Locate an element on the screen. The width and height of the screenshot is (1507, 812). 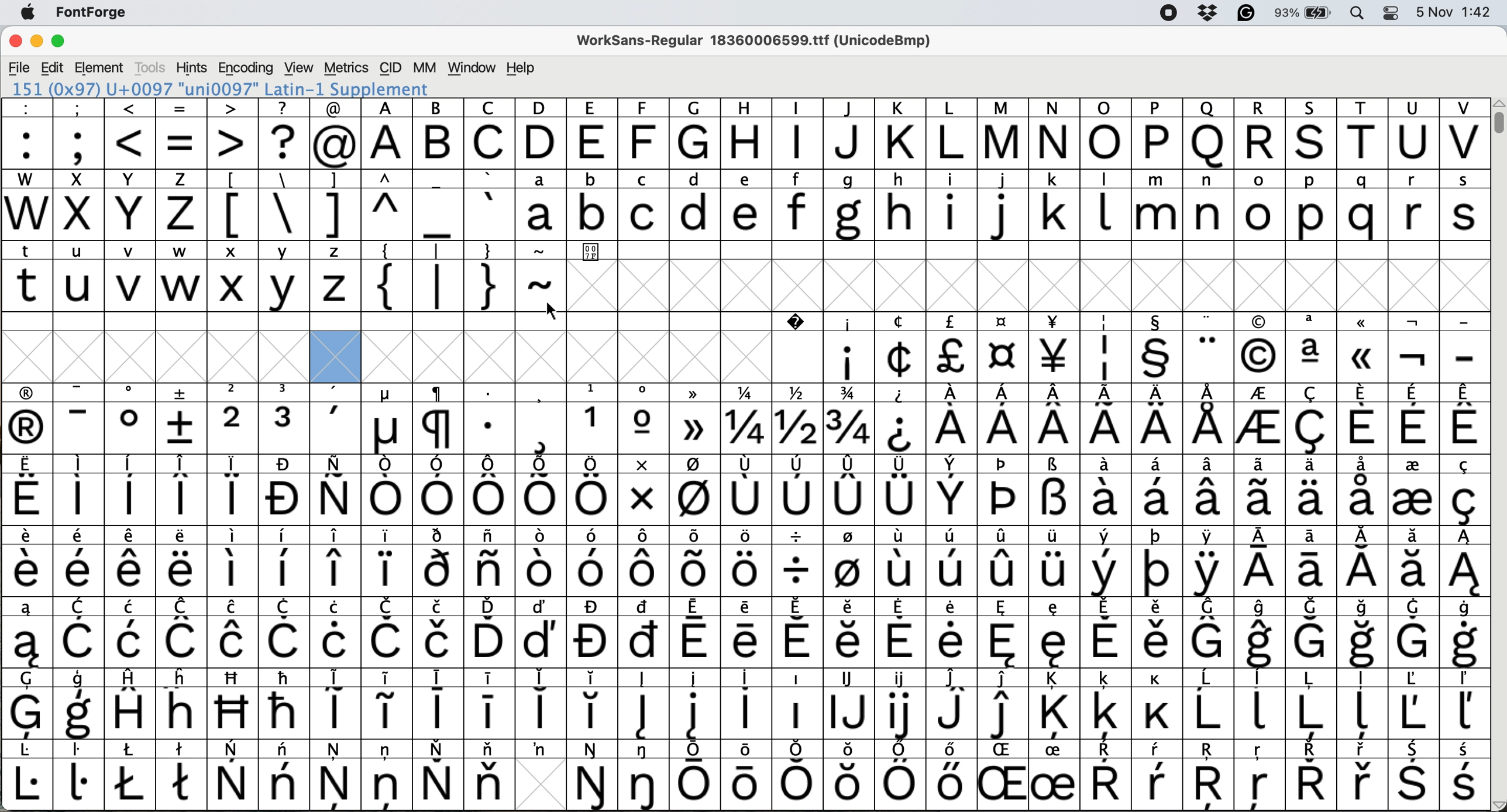
symbol is located at coordinates (335, 490).